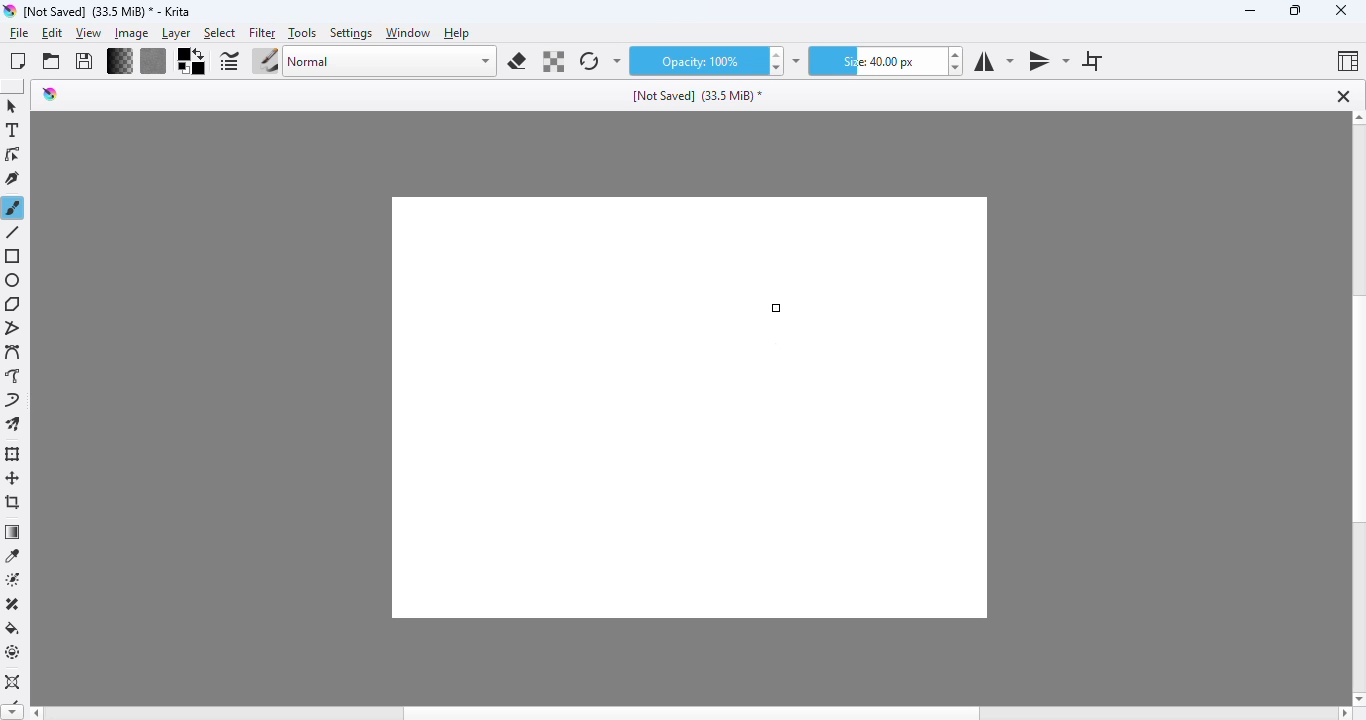 The width and height of the screenshot is (1366, 720). I want to click on wrap around mode, so click(1090, 61).